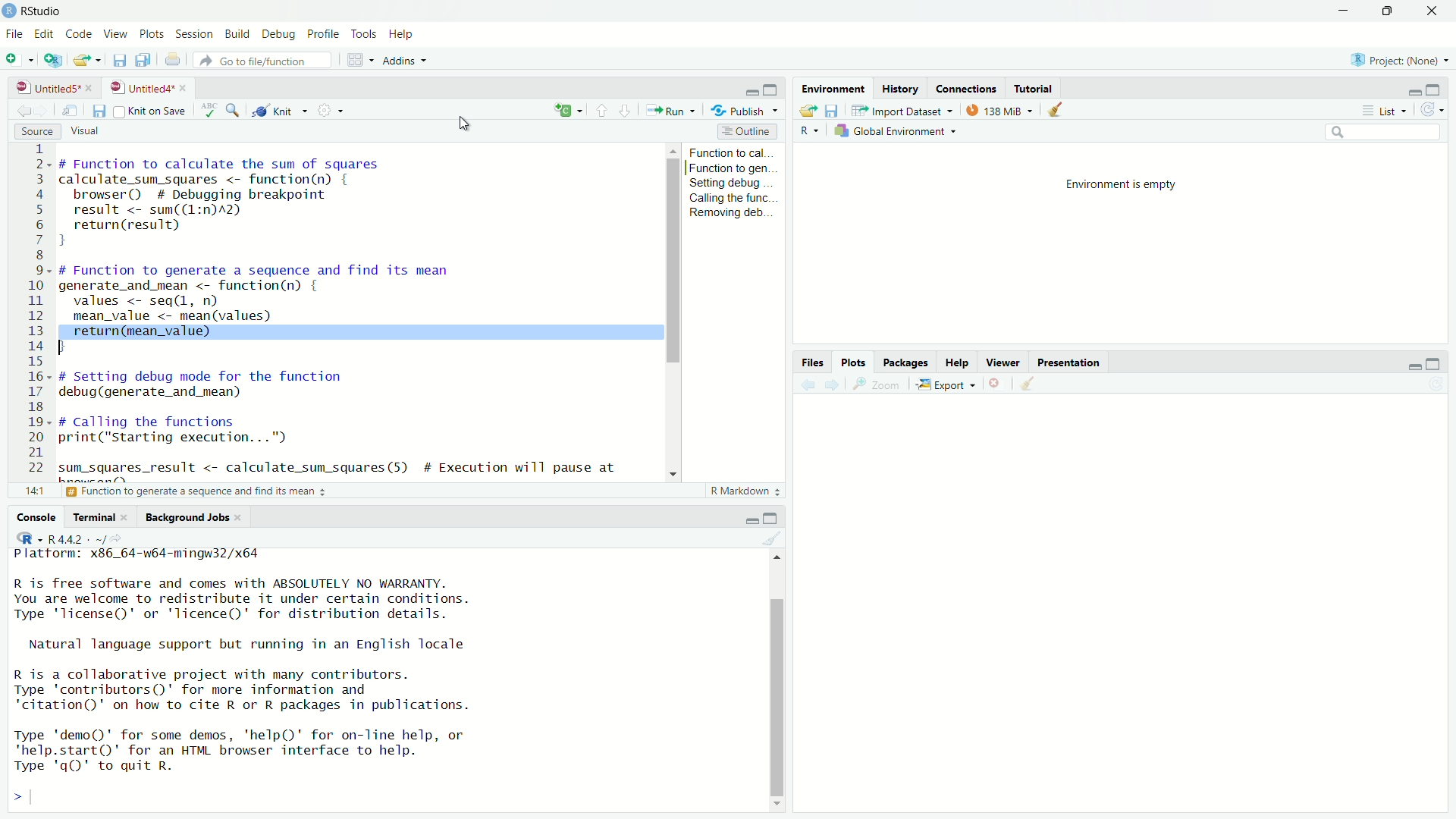  Describe the element at coordinates (32, 517) in the screenshot. I see `console` at that location.